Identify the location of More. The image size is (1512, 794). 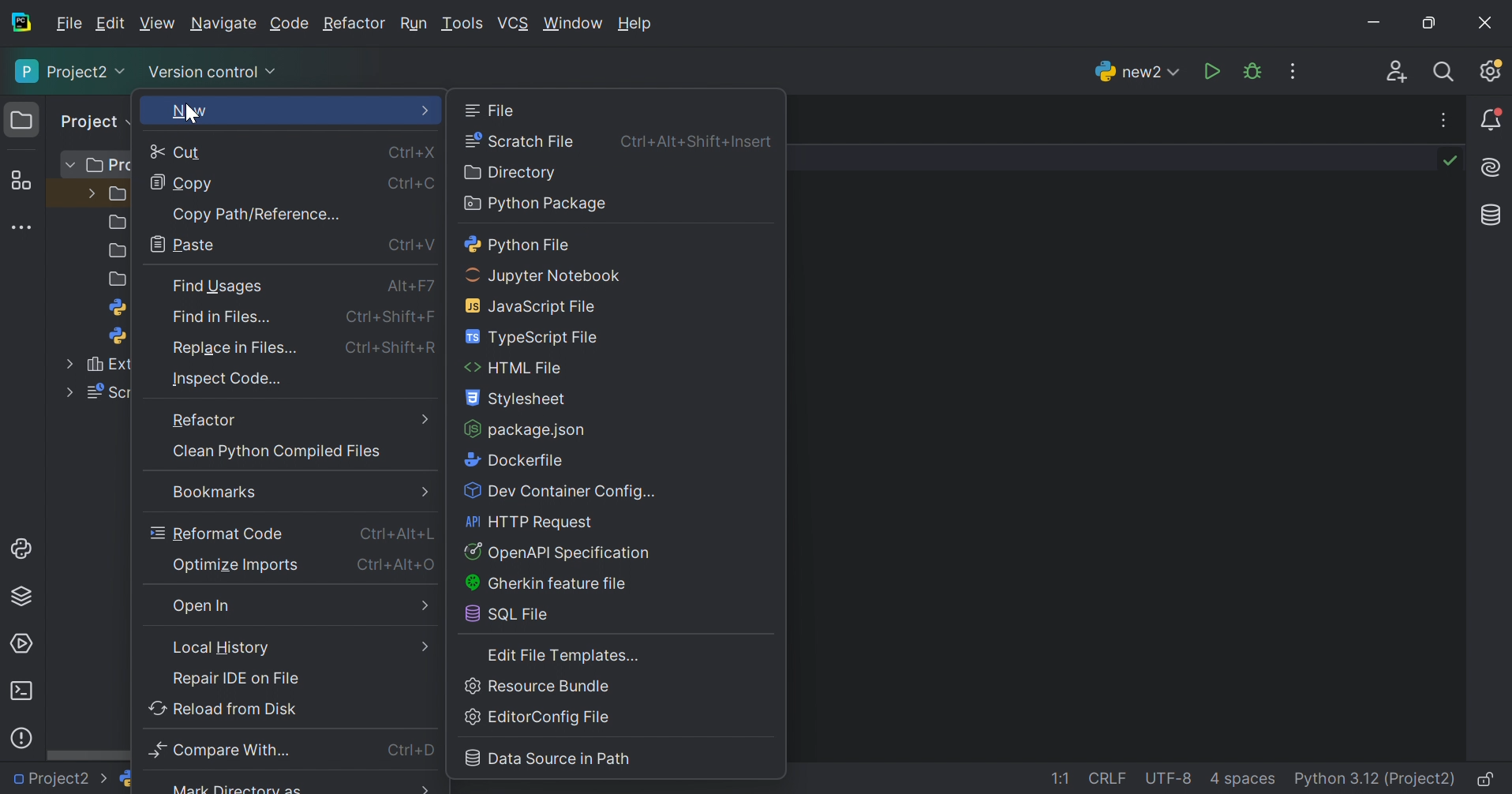
(424, 786).